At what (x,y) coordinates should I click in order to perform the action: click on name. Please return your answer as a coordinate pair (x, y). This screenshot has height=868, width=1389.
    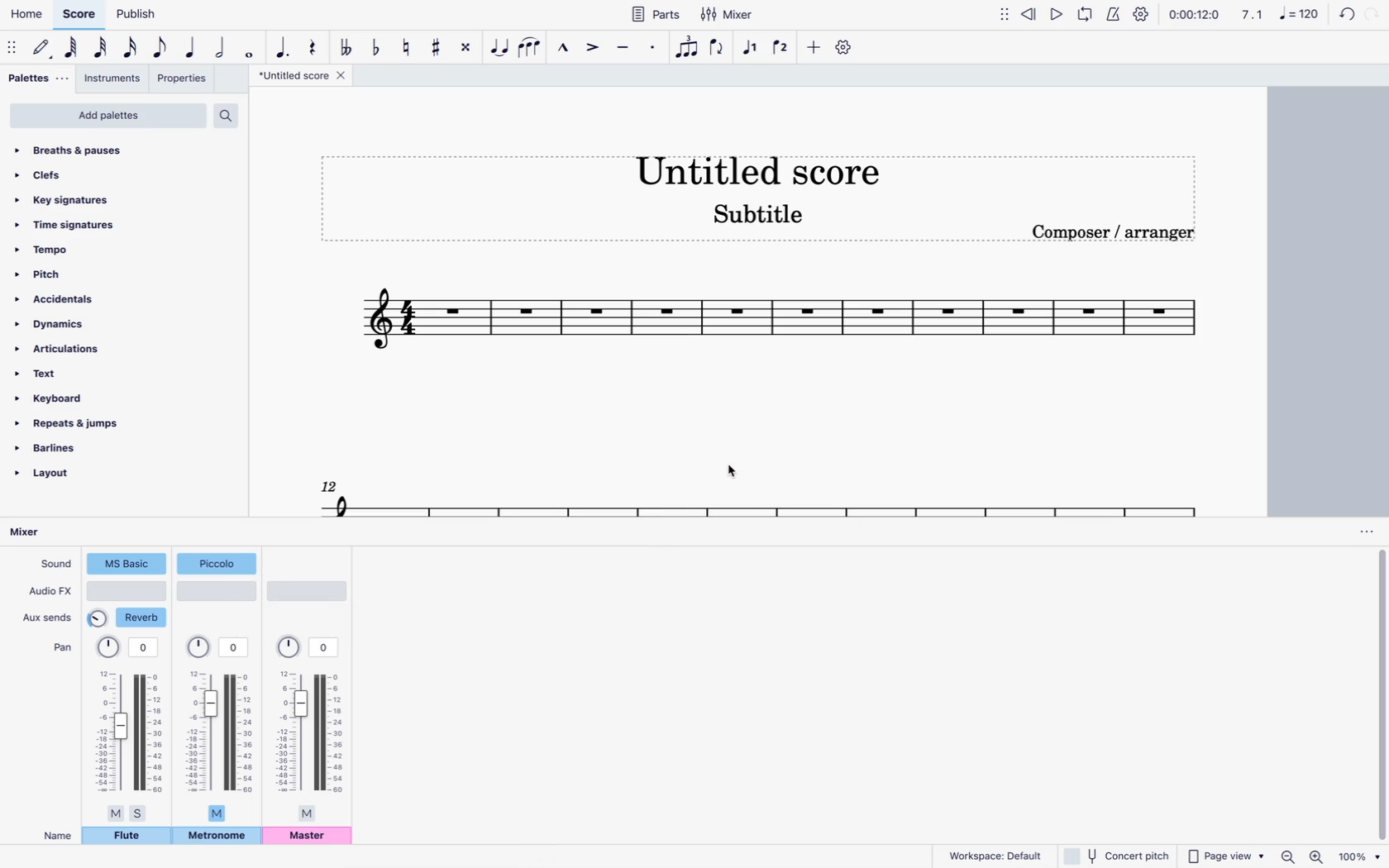
    Looking at the image, I should click on (52, 835).